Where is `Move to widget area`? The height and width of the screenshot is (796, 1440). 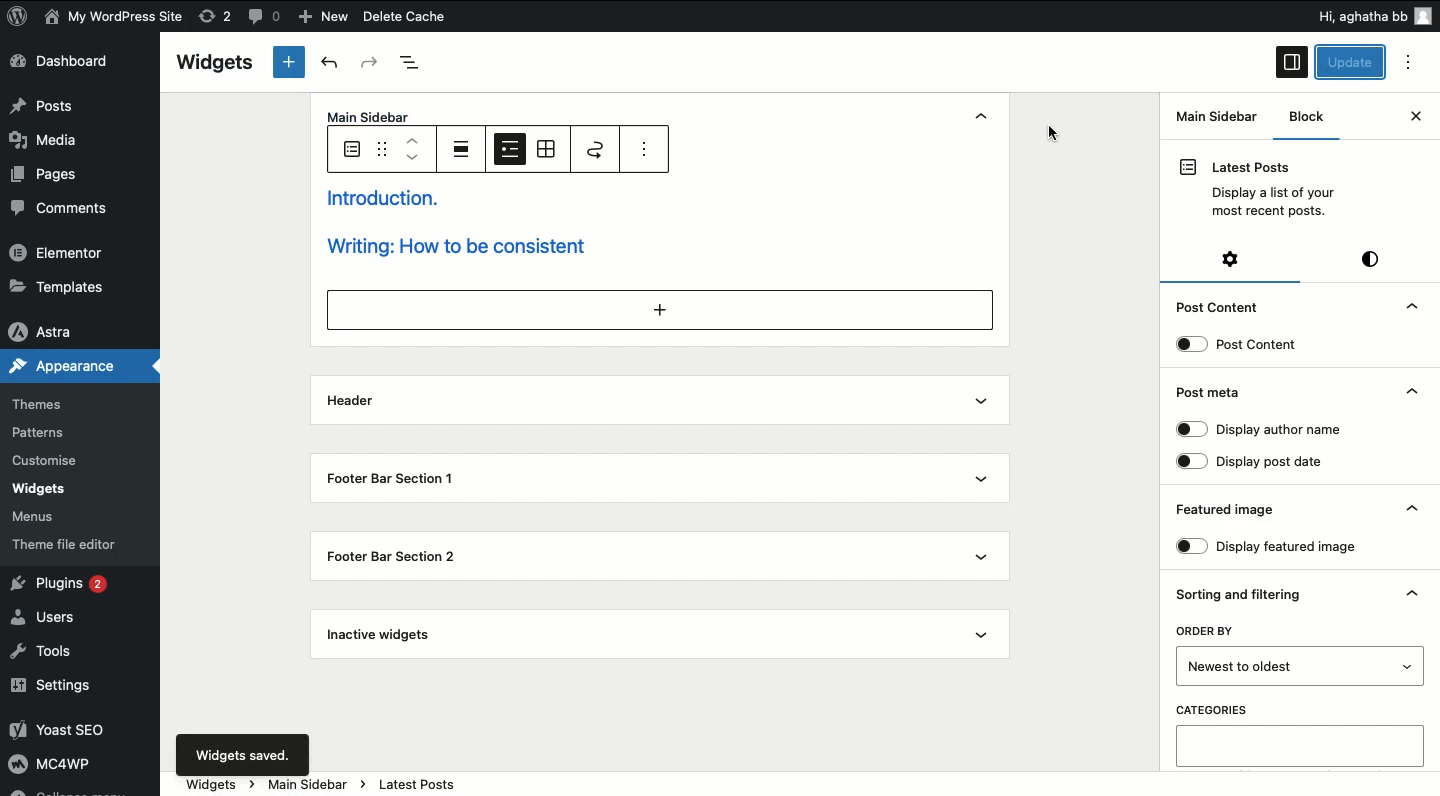
Move to widget area is located at coordinates (598, 147).